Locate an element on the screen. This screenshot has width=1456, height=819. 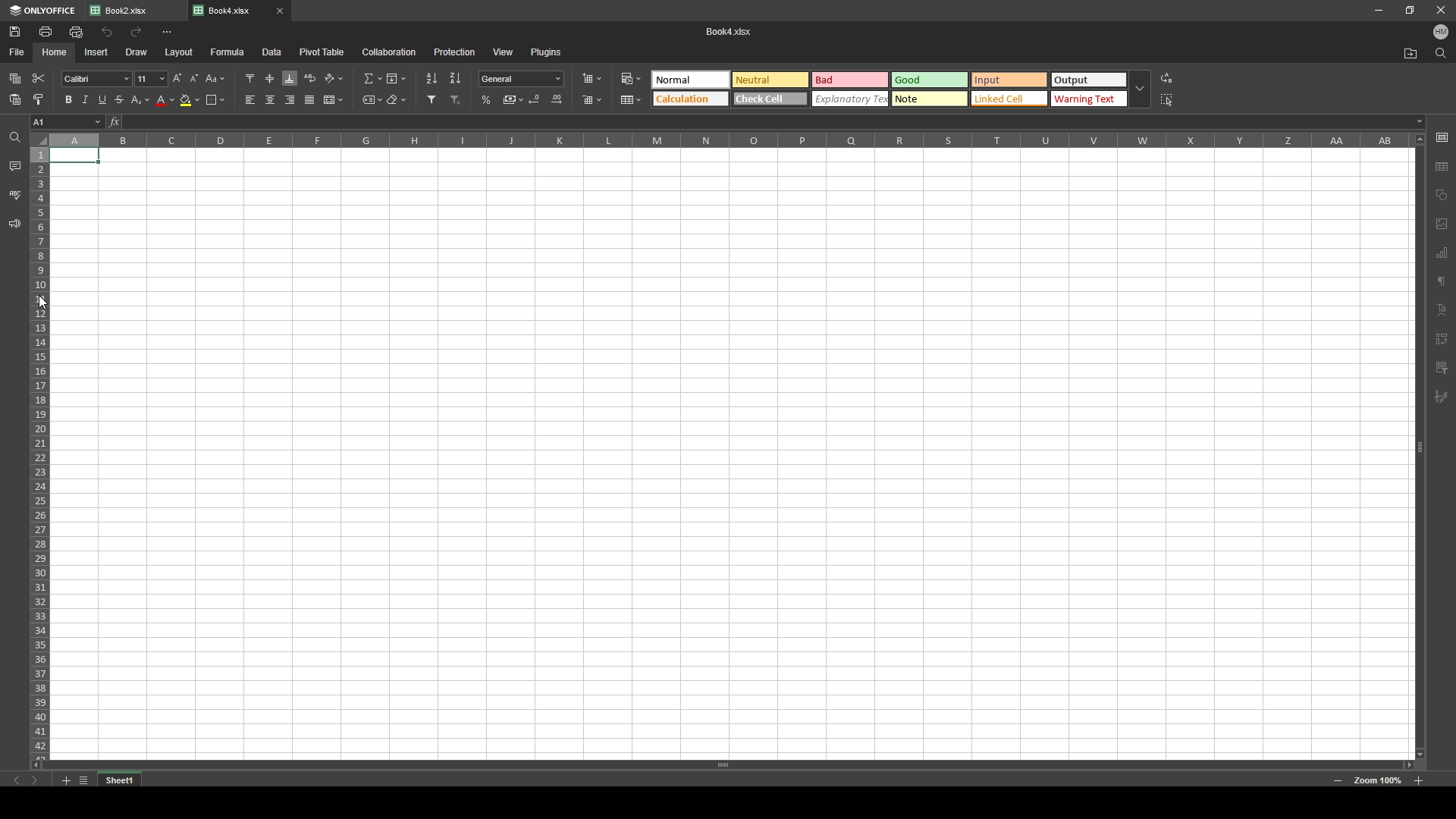
decrease decimal is located at coordinates (535, 99).